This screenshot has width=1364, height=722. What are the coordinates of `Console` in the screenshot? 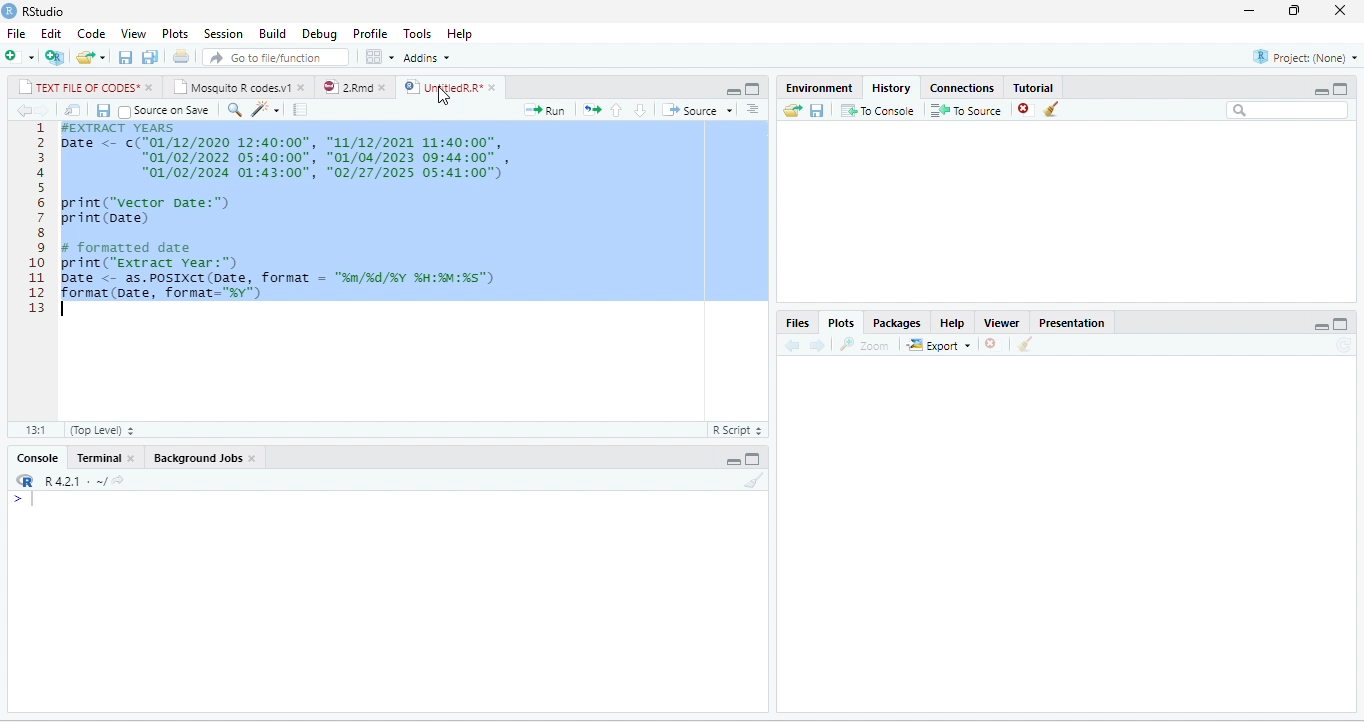 It's located at (37, 458).